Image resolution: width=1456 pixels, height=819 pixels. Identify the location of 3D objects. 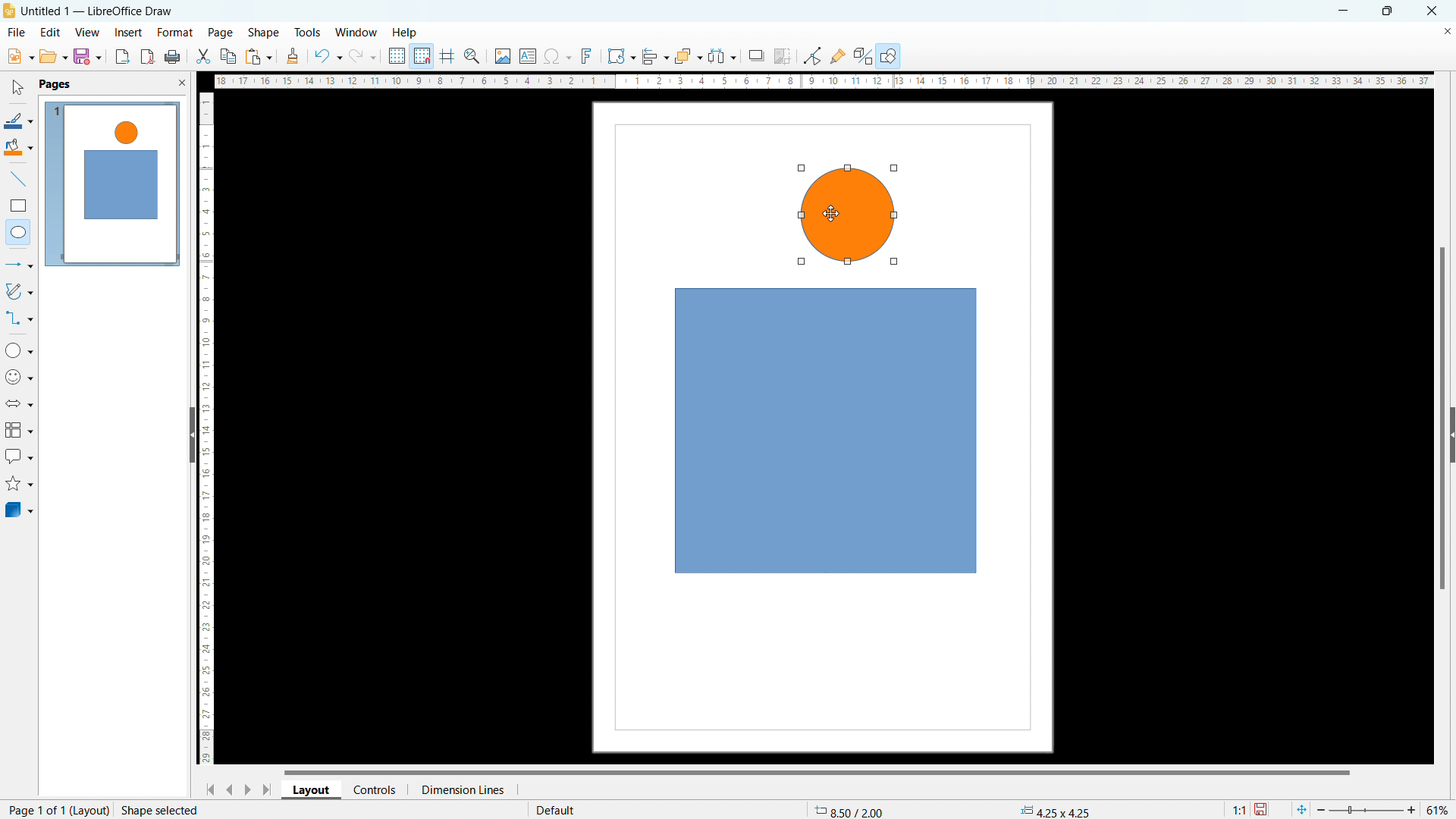
(18, 509).